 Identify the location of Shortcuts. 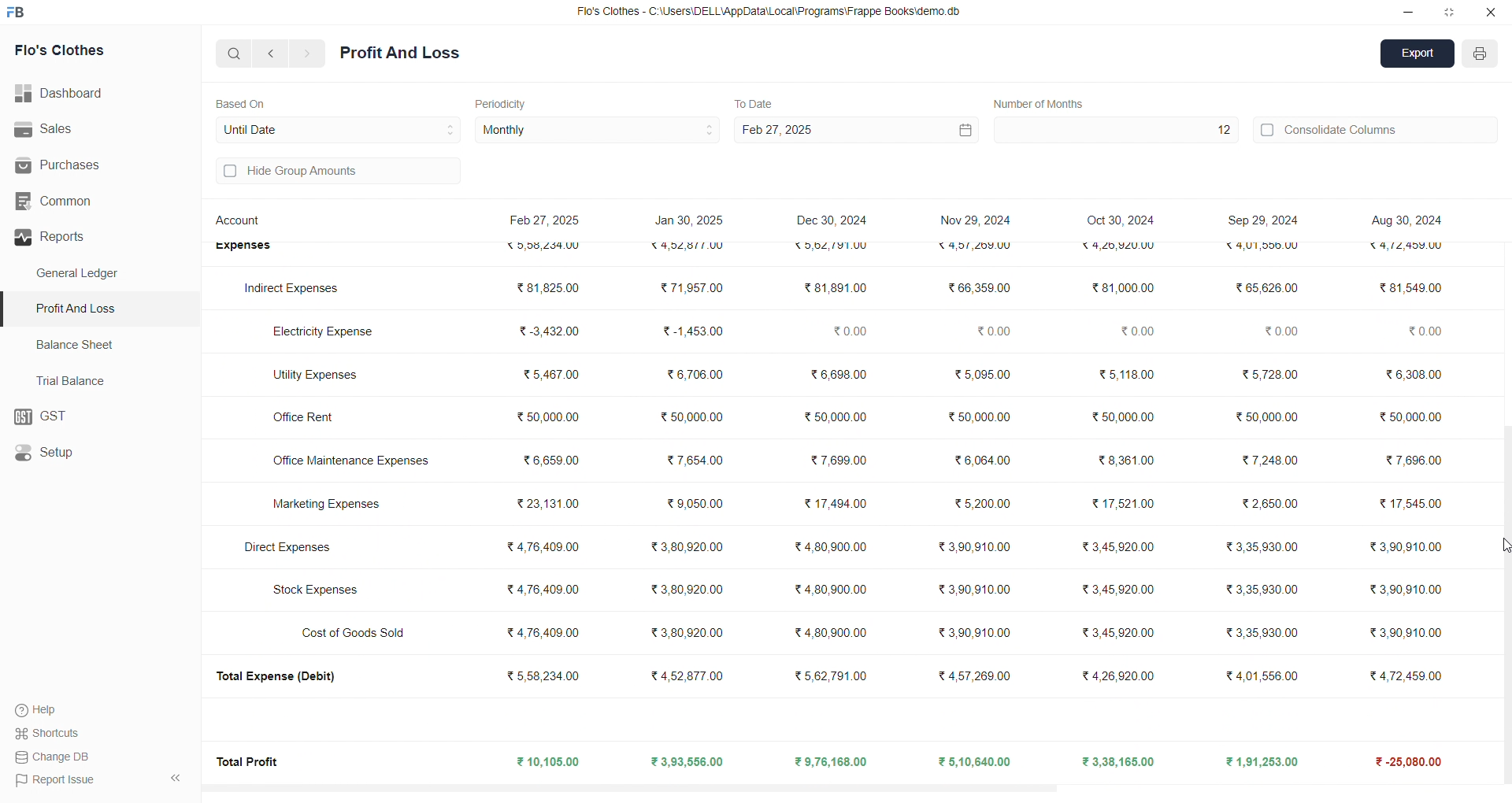
(52, 732).